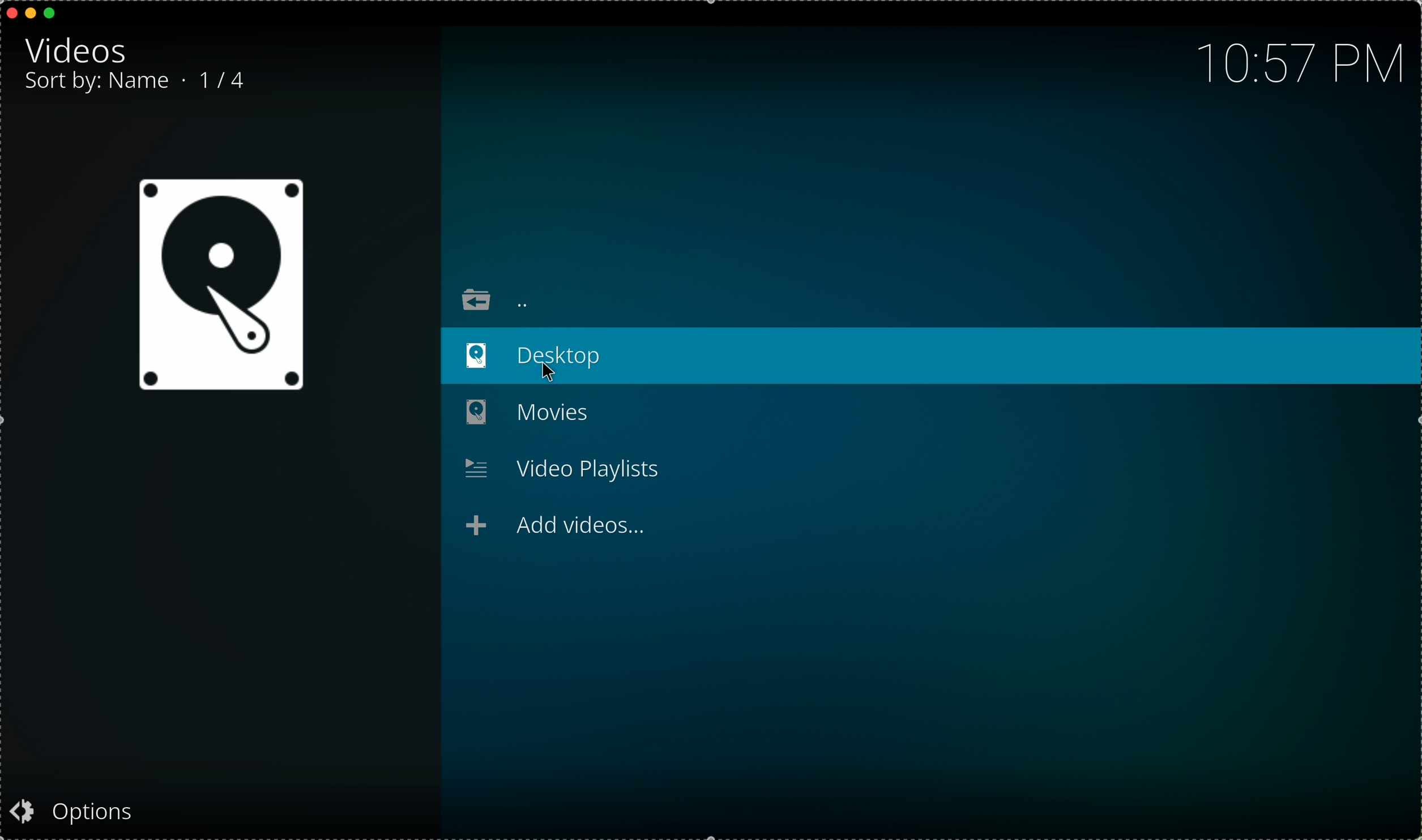 Image resolution: width=1422 pixels, height=840 pixels. What do you see at coordinates (560, 468) in the screenshot?
I see `video playlist` at bounding box center [560, 468].